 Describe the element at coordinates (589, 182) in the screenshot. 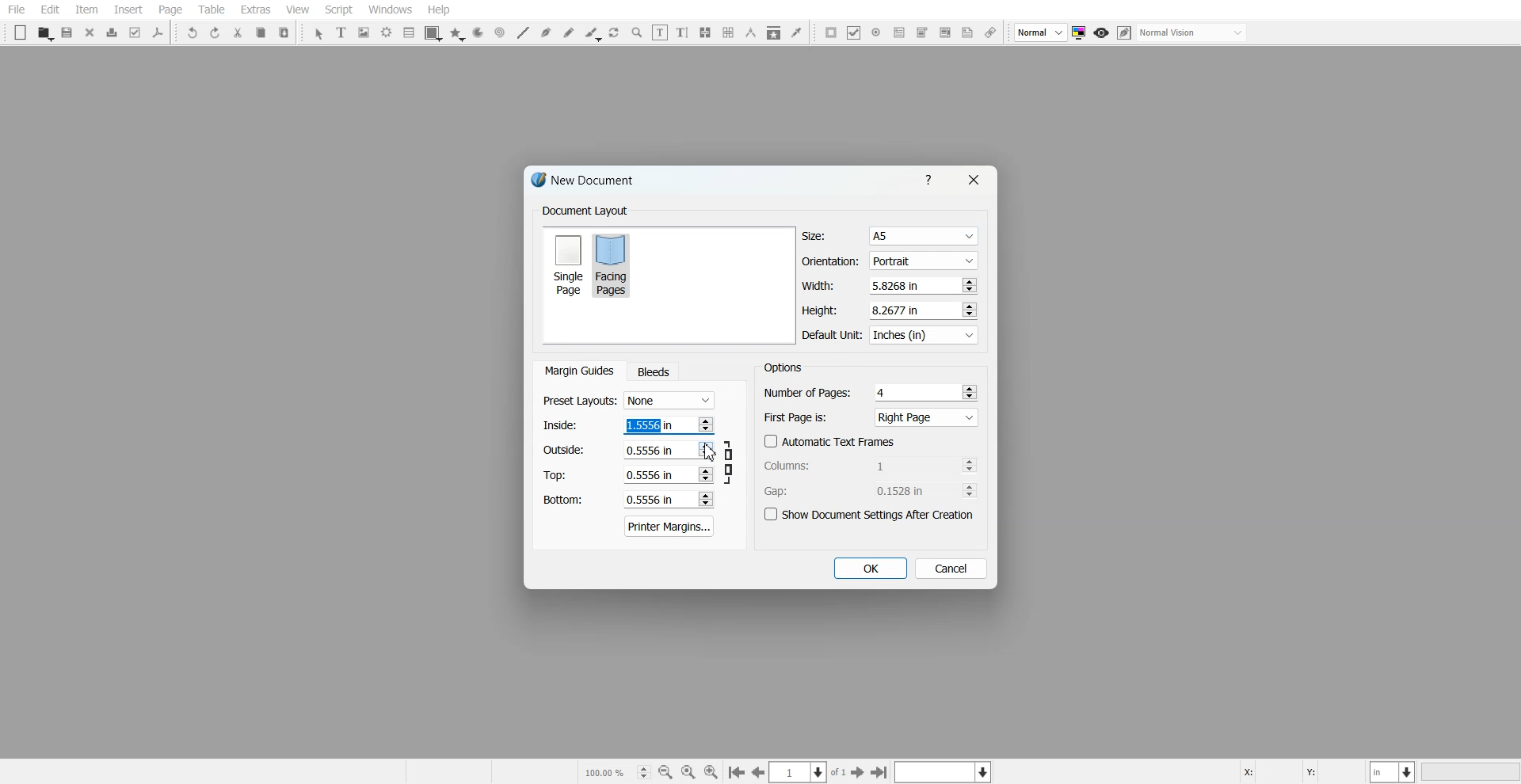

I see `Text` at that location.